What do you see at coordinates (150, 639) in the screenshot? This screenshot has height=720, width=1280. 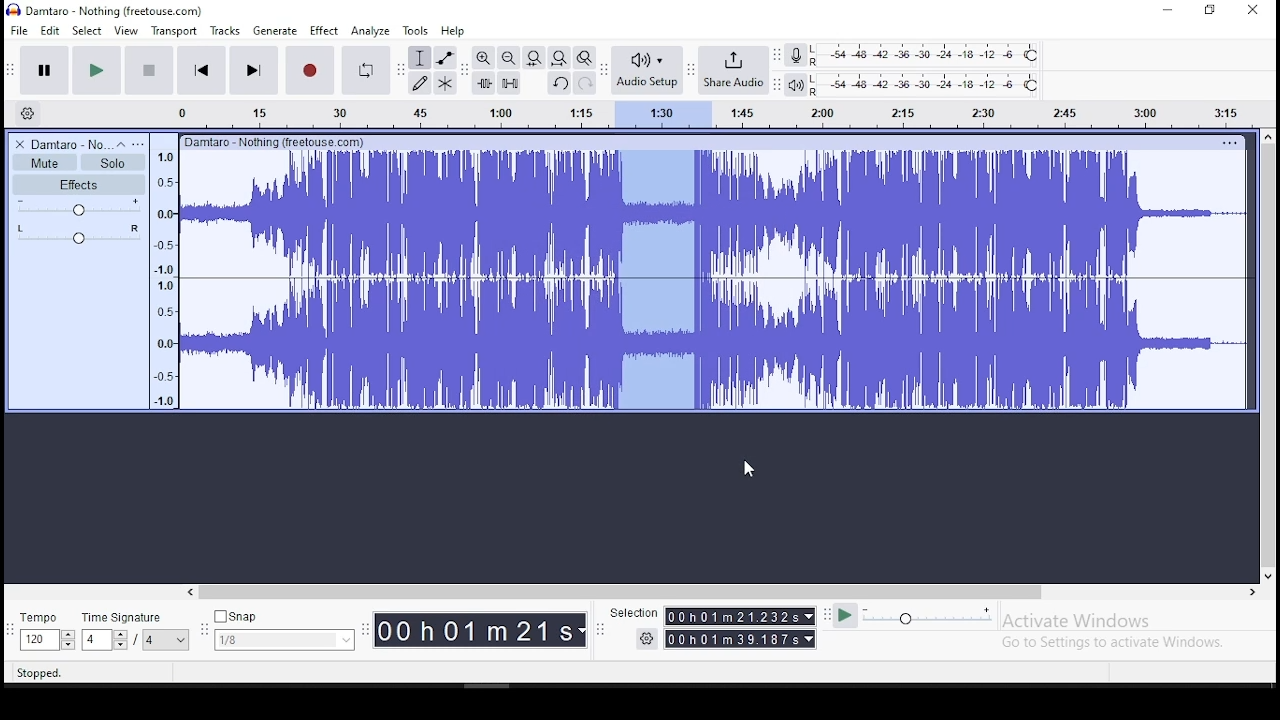 I see `/4` at bounding box center [150, 639].